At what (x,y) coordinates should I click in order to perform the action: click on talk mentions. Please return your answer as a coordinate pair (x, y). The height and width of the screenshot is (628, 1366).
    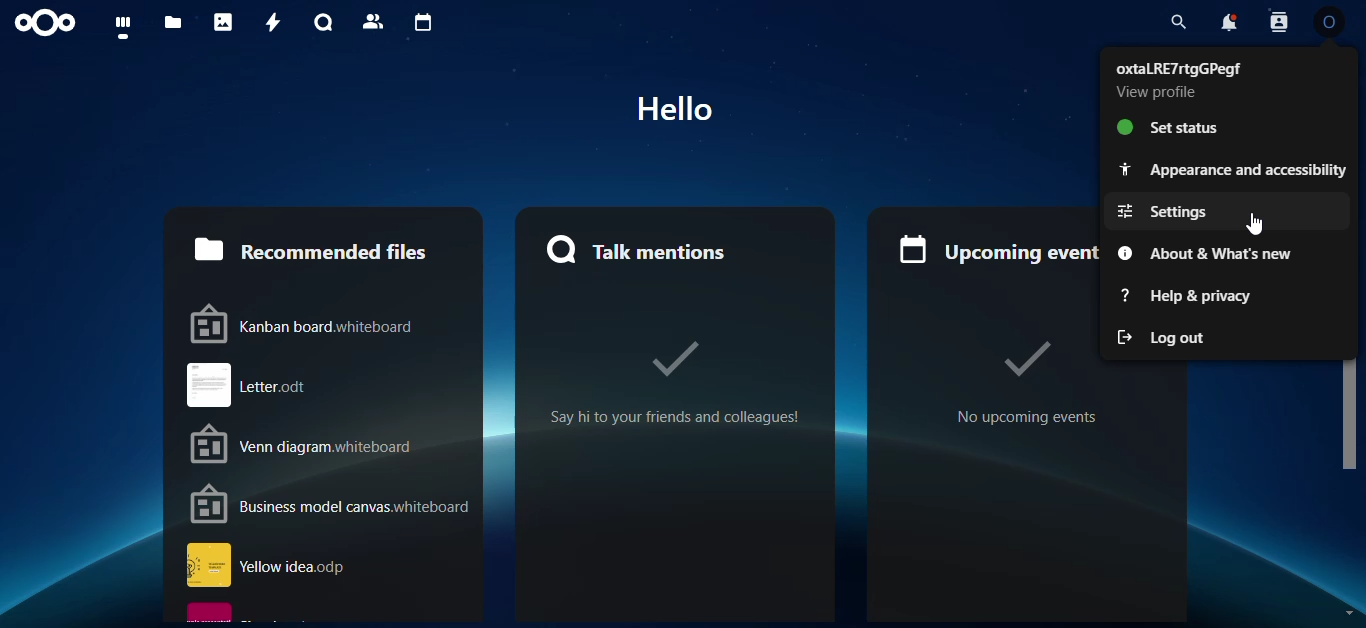
    Looking at the image, I should click on (671, 249).